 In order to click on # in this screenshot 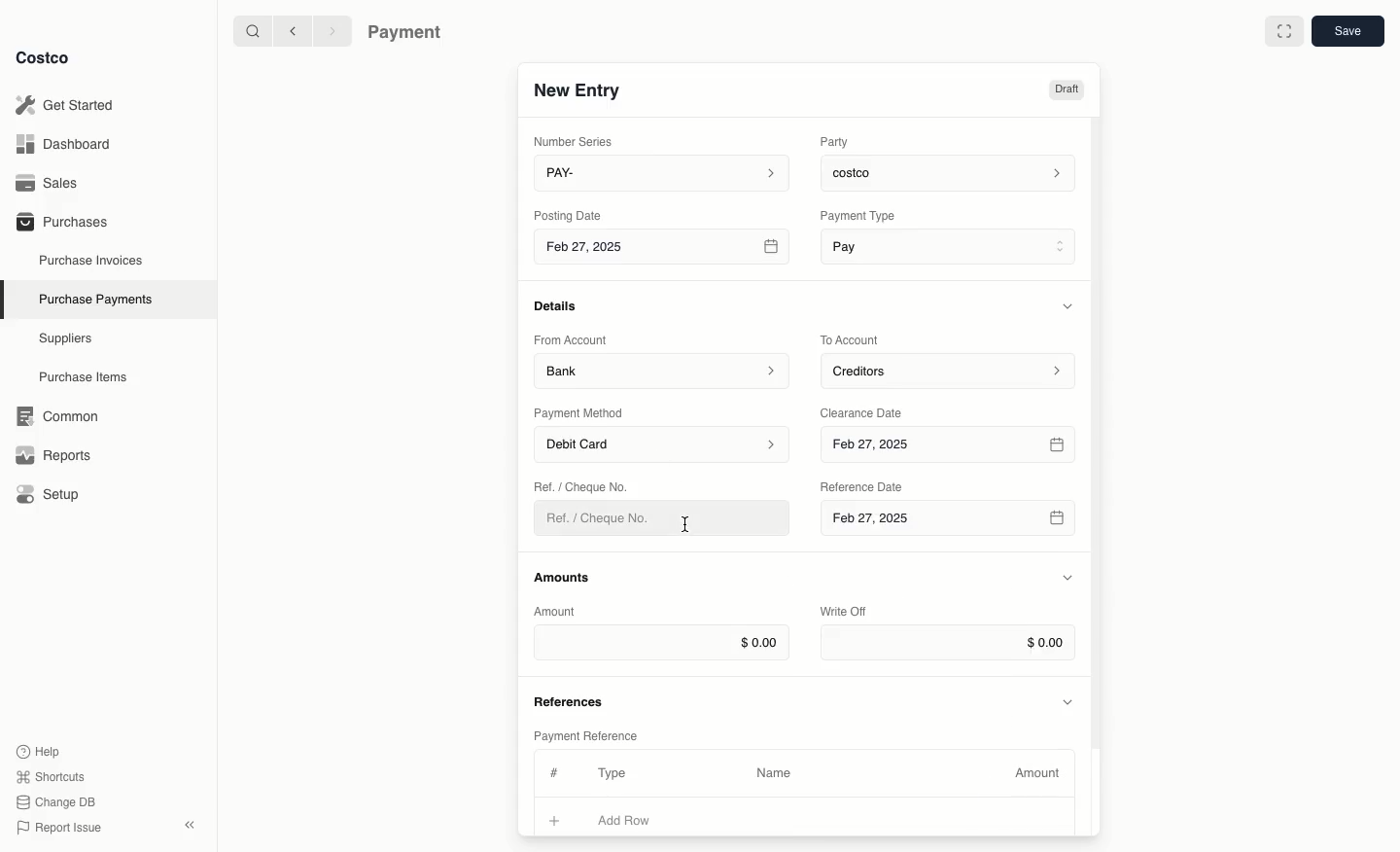, I will do `click(551, 770)`.